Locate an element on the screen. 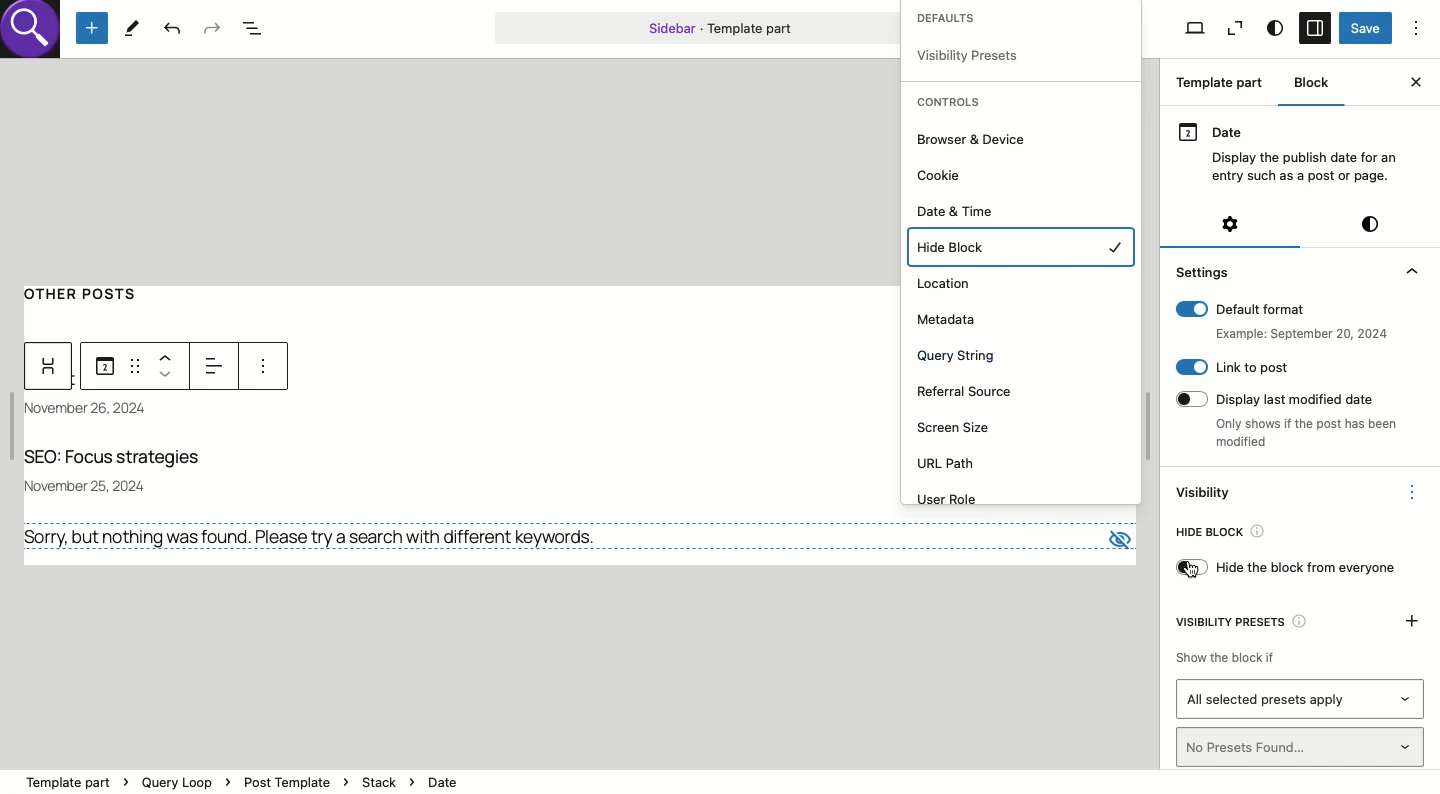 Image resolution: width=1440 pixels, height=794 pixels. view is located at coordinates (1116, 534).